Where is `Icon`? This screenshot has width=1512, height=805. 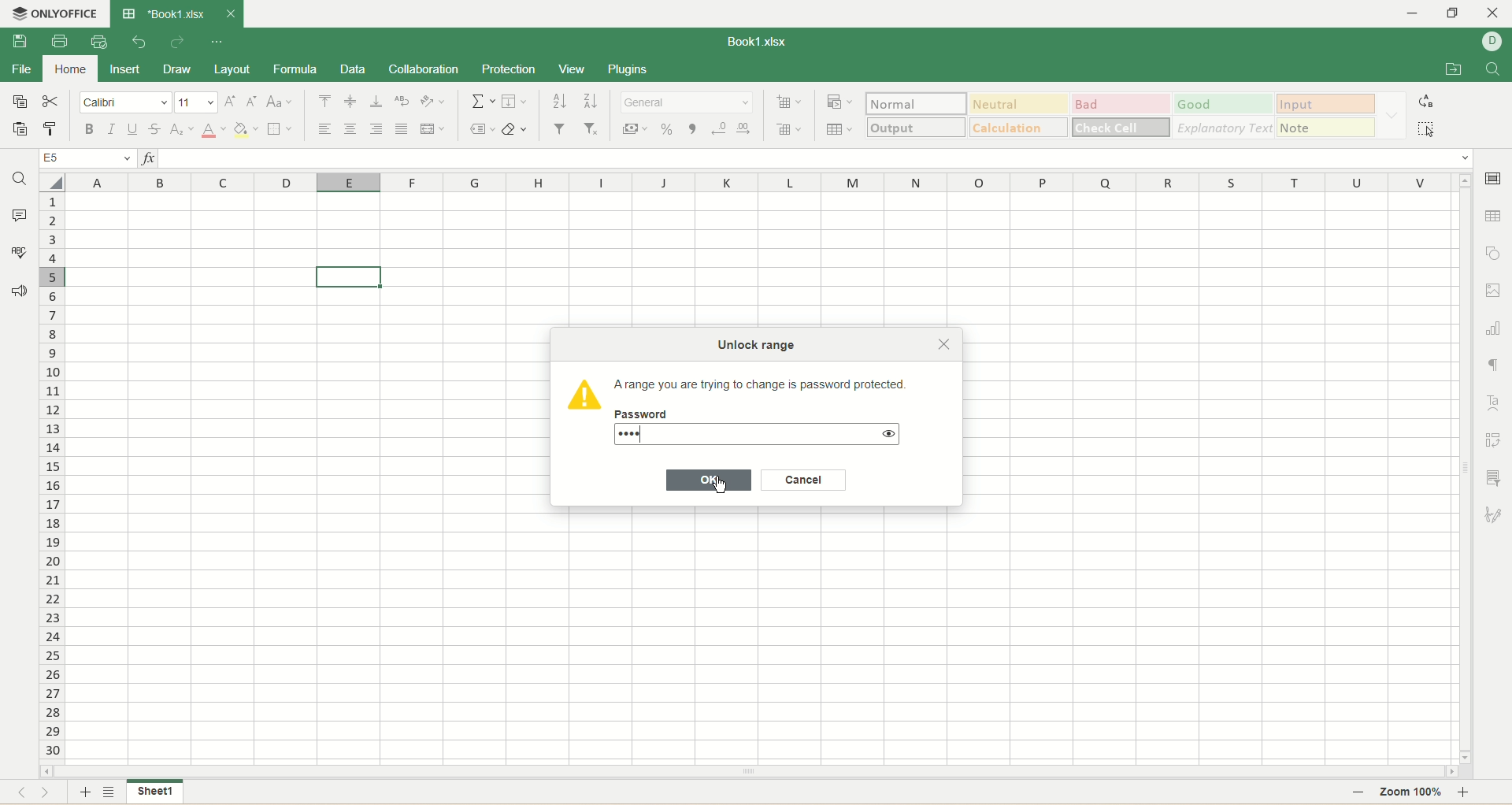
Icon is located at coordinates (580, 397).